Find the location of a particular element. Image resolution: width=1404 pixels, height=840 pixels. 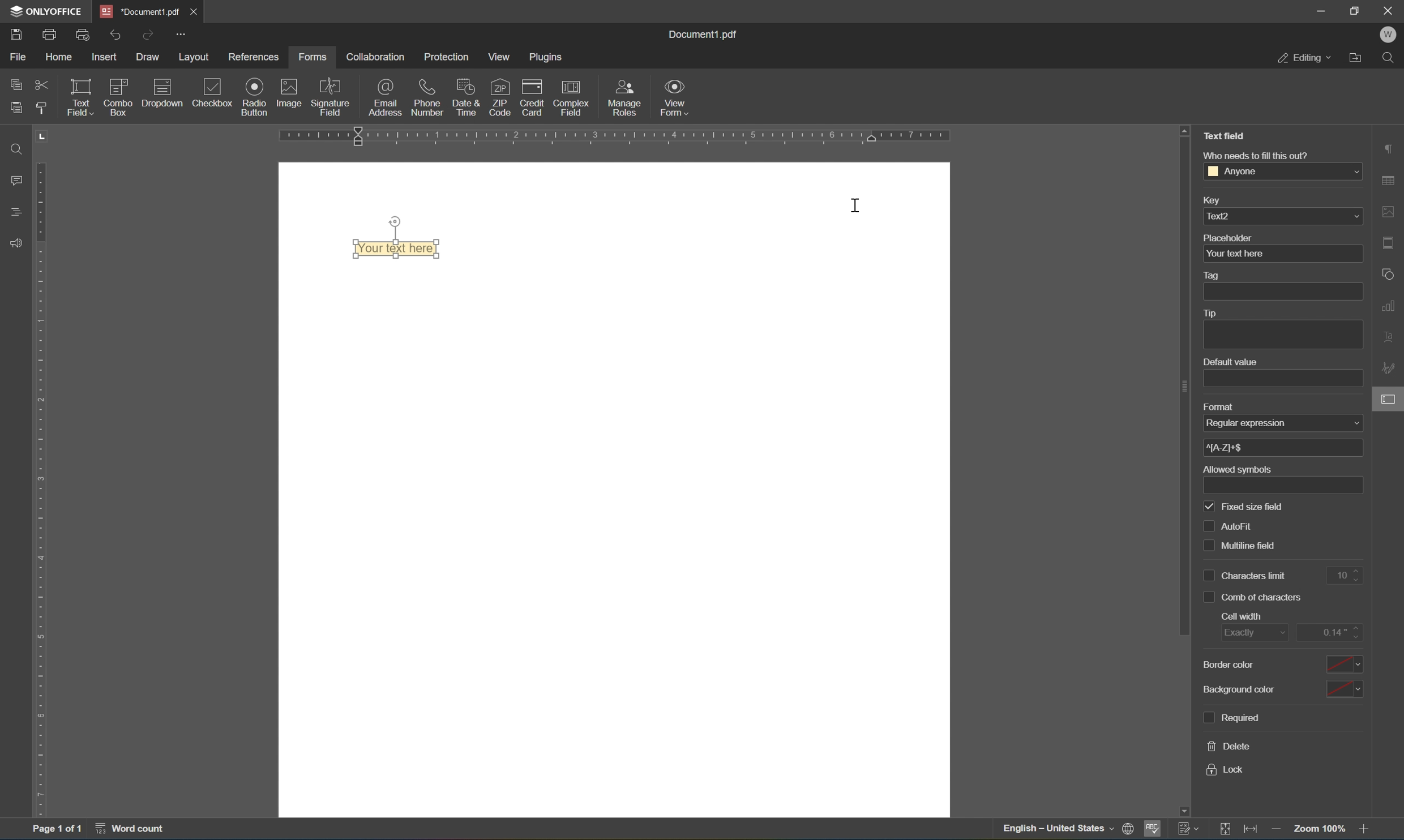

cell width is located at coordinates (1242, 616).